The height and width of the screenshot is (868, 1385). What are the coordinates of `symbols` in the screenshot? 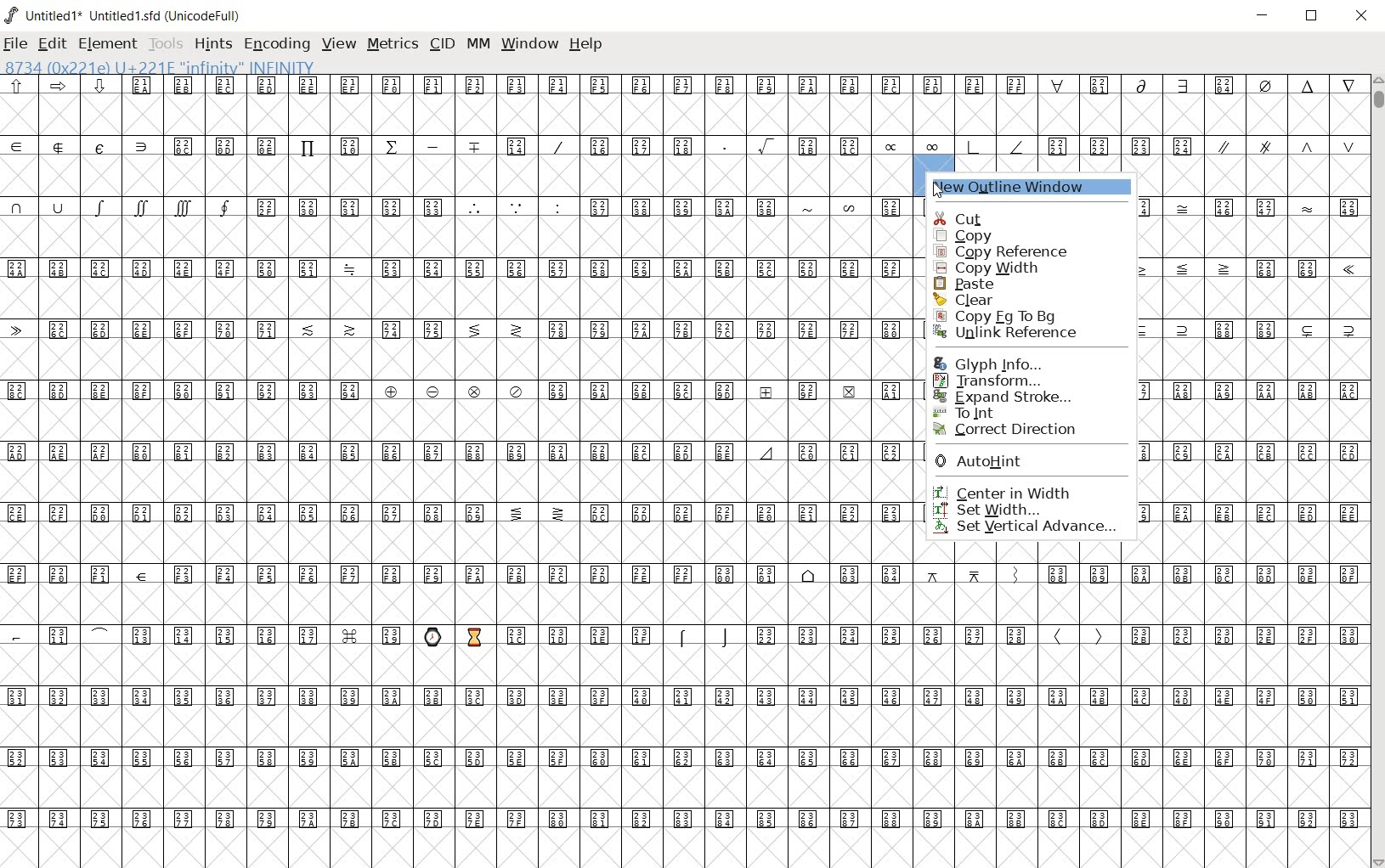 It's located at (704, 635).